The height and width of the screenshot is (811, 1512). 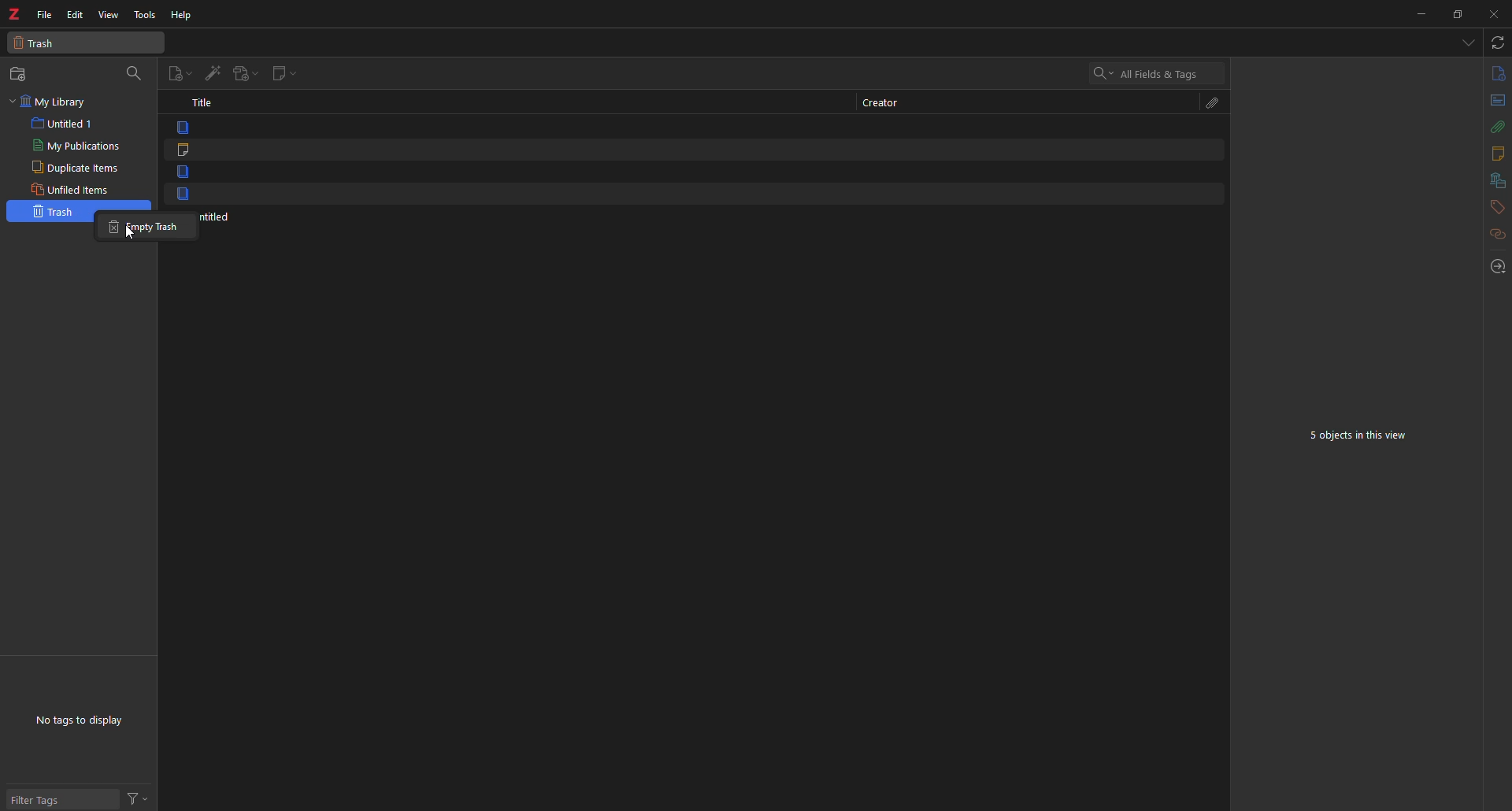 What do you see at coordinates (1497, 102) in the screenshot?
I see `abstract` at bounding box center [1497, 102].